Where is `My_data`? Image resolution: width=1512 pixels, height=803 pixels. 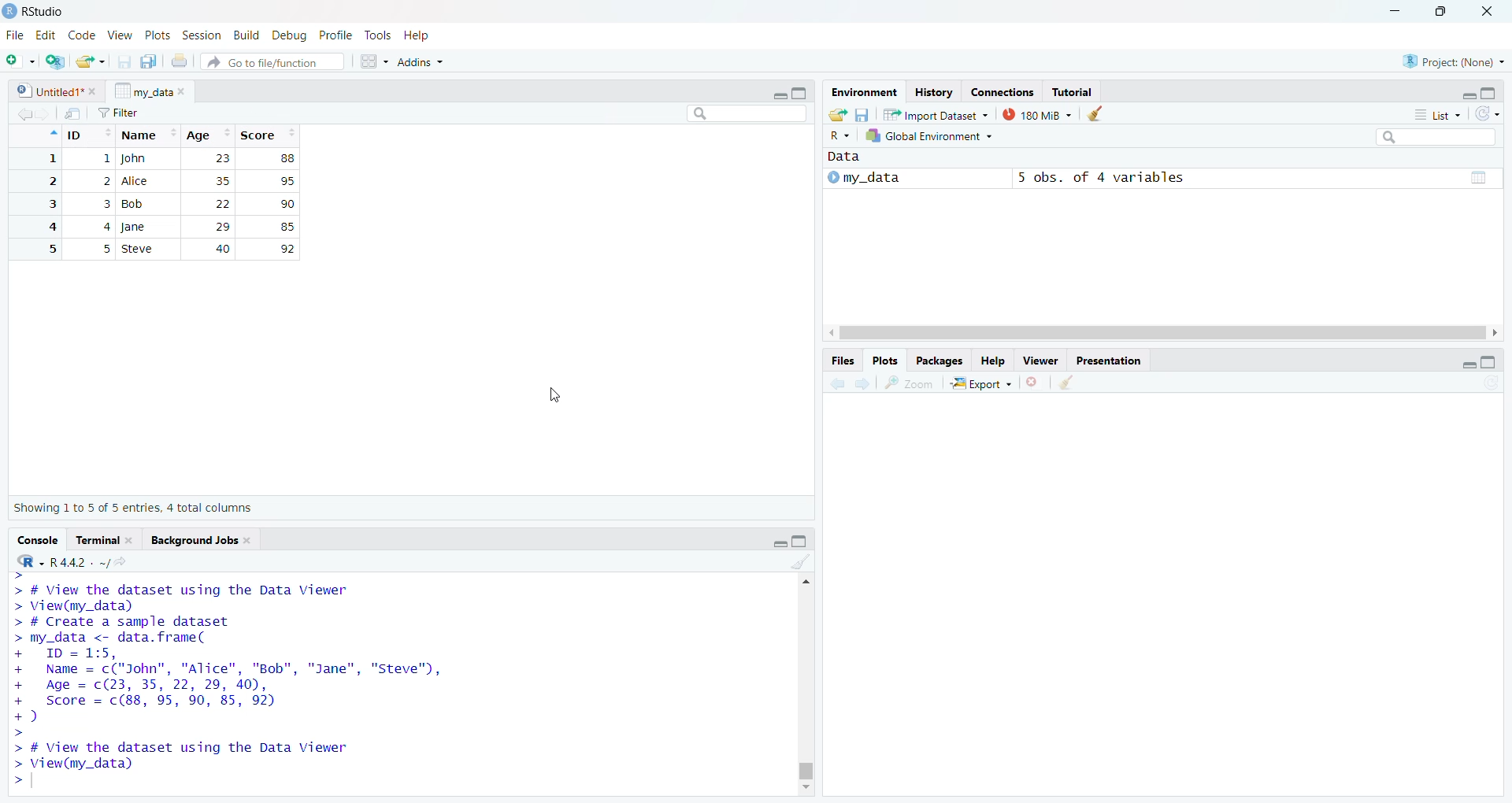 My_data is located at coordinates (863, 179).